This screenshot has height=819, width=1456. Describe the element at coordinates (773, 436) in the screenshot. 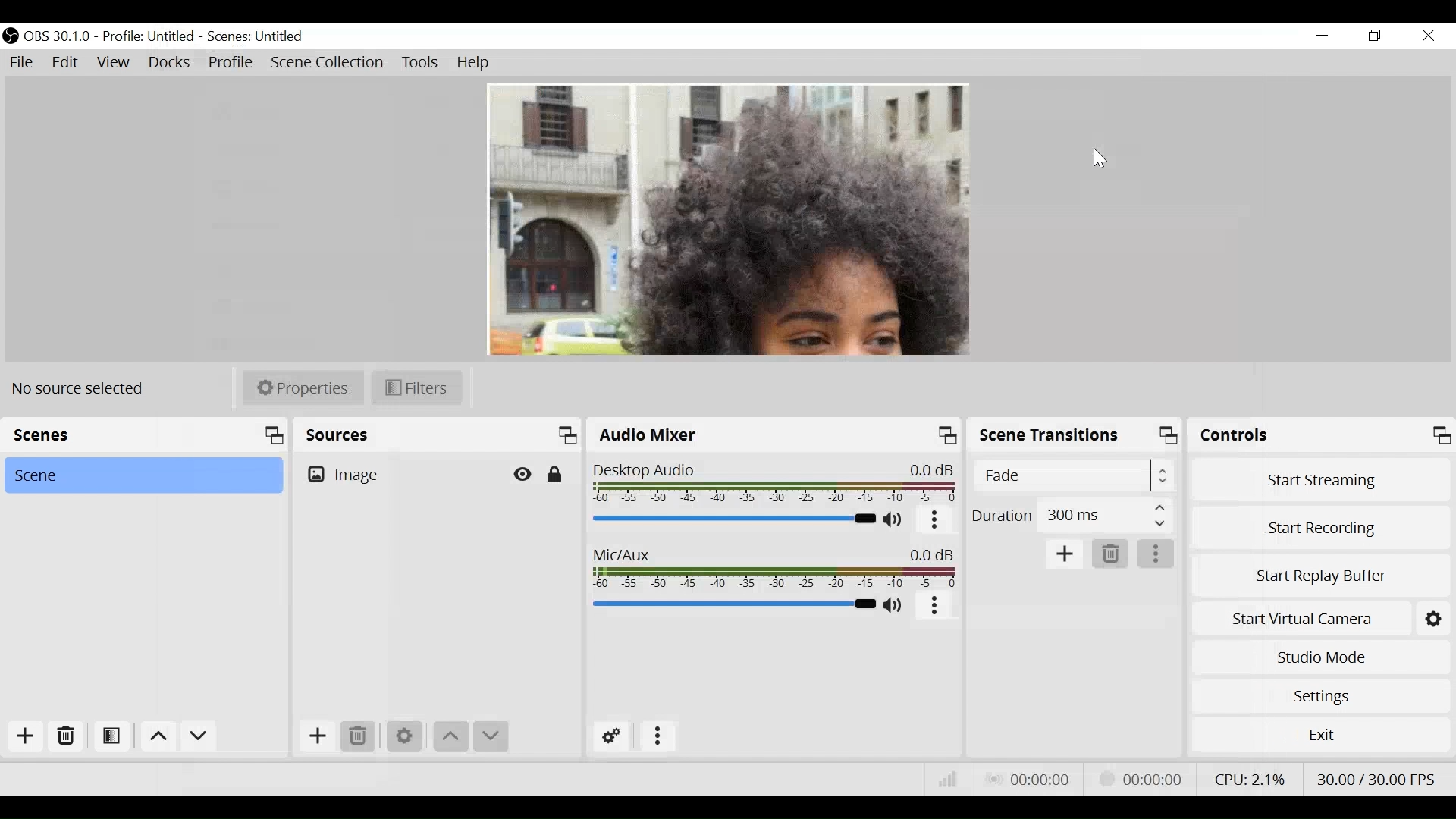

I see `Audio Mixer` at that location.